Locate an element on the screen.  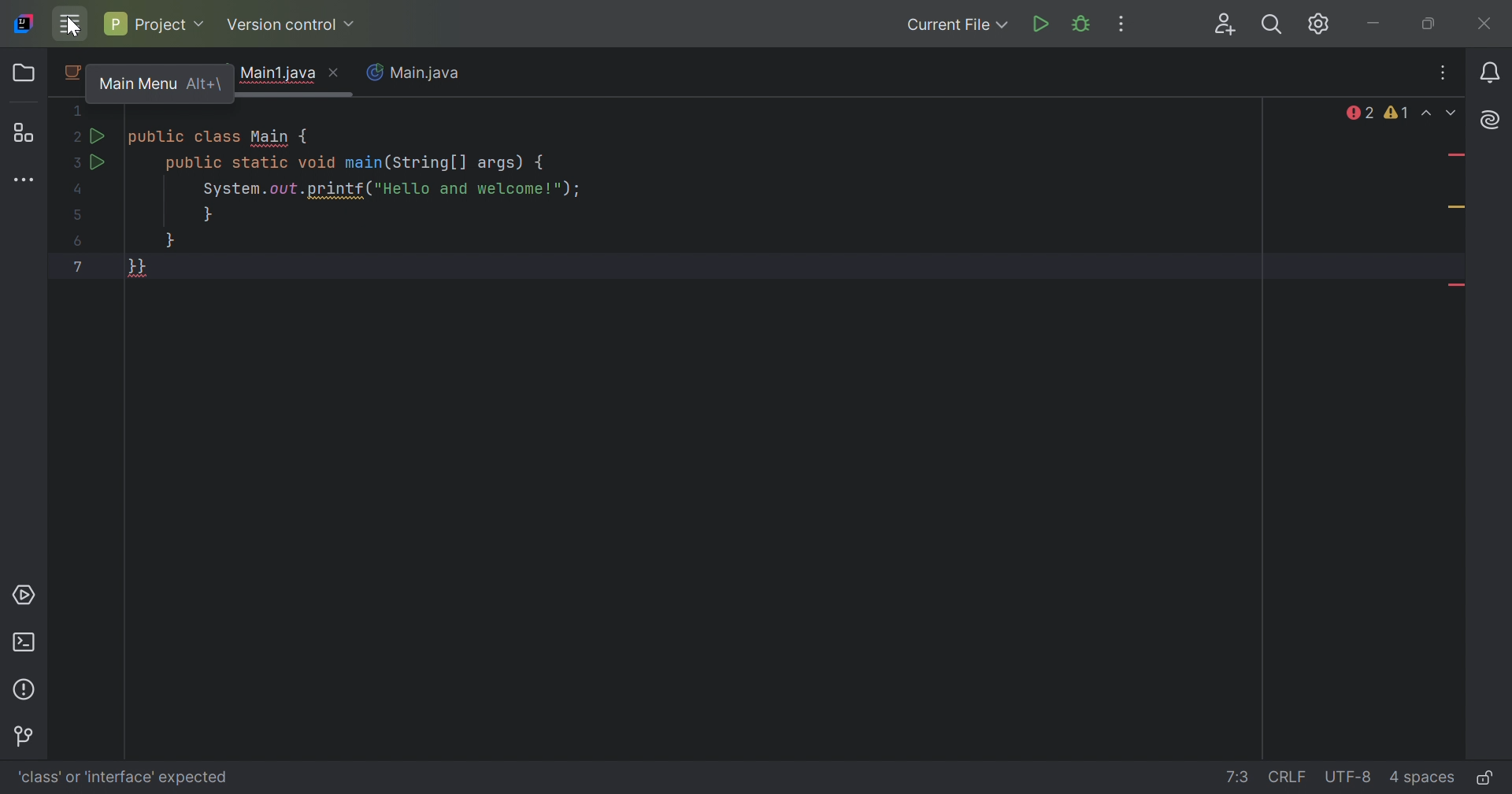
Close is located at coordinates (335, 72).